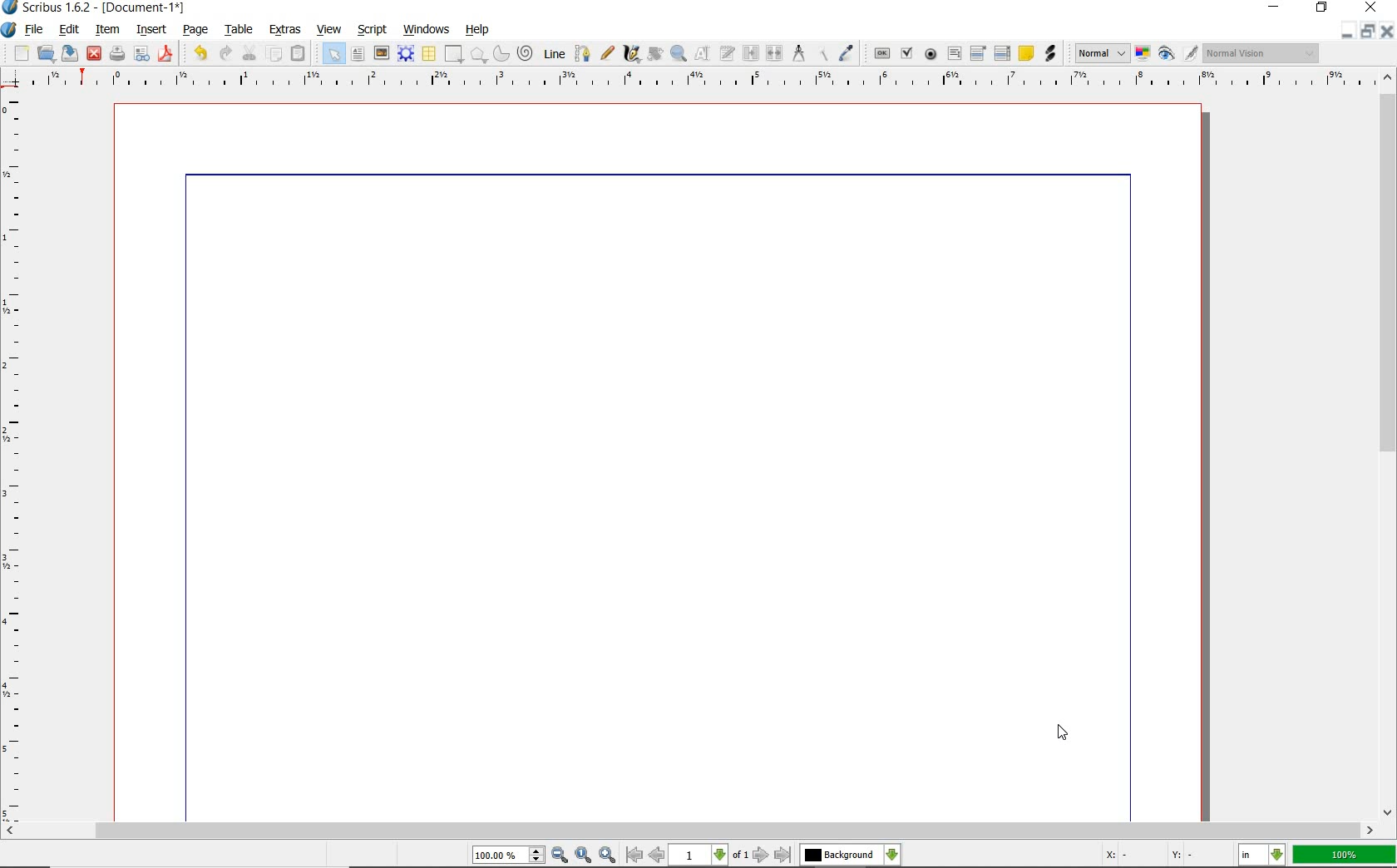 The image size is (1397, 868). I want to click on ruler, so click(705, 83).